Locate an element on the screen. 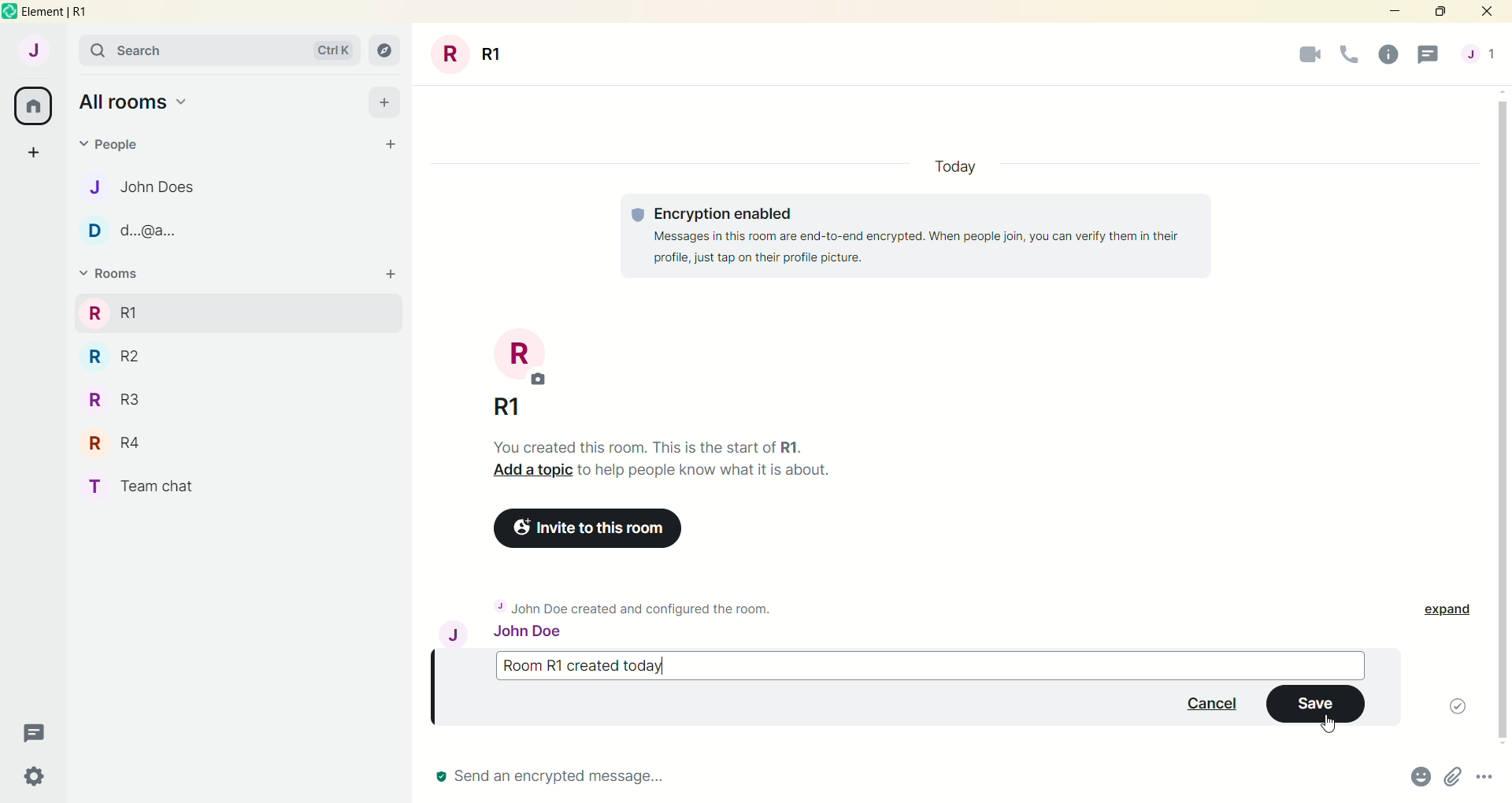  rooms is located at coordinates (112, 312).